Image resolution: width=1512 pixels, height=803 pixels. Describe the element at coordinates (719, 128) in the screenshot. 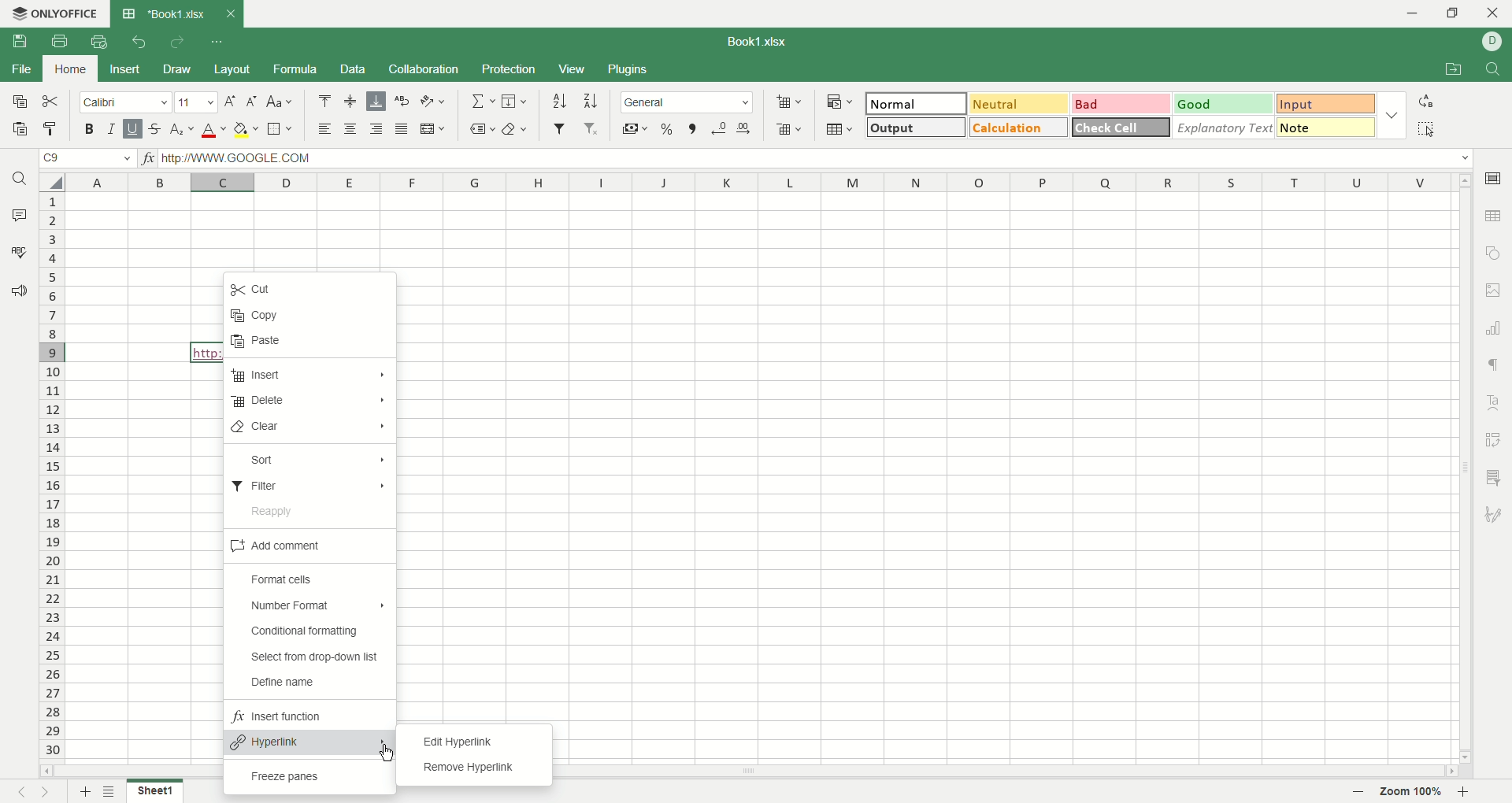

I see `decrease decimal` at that location.